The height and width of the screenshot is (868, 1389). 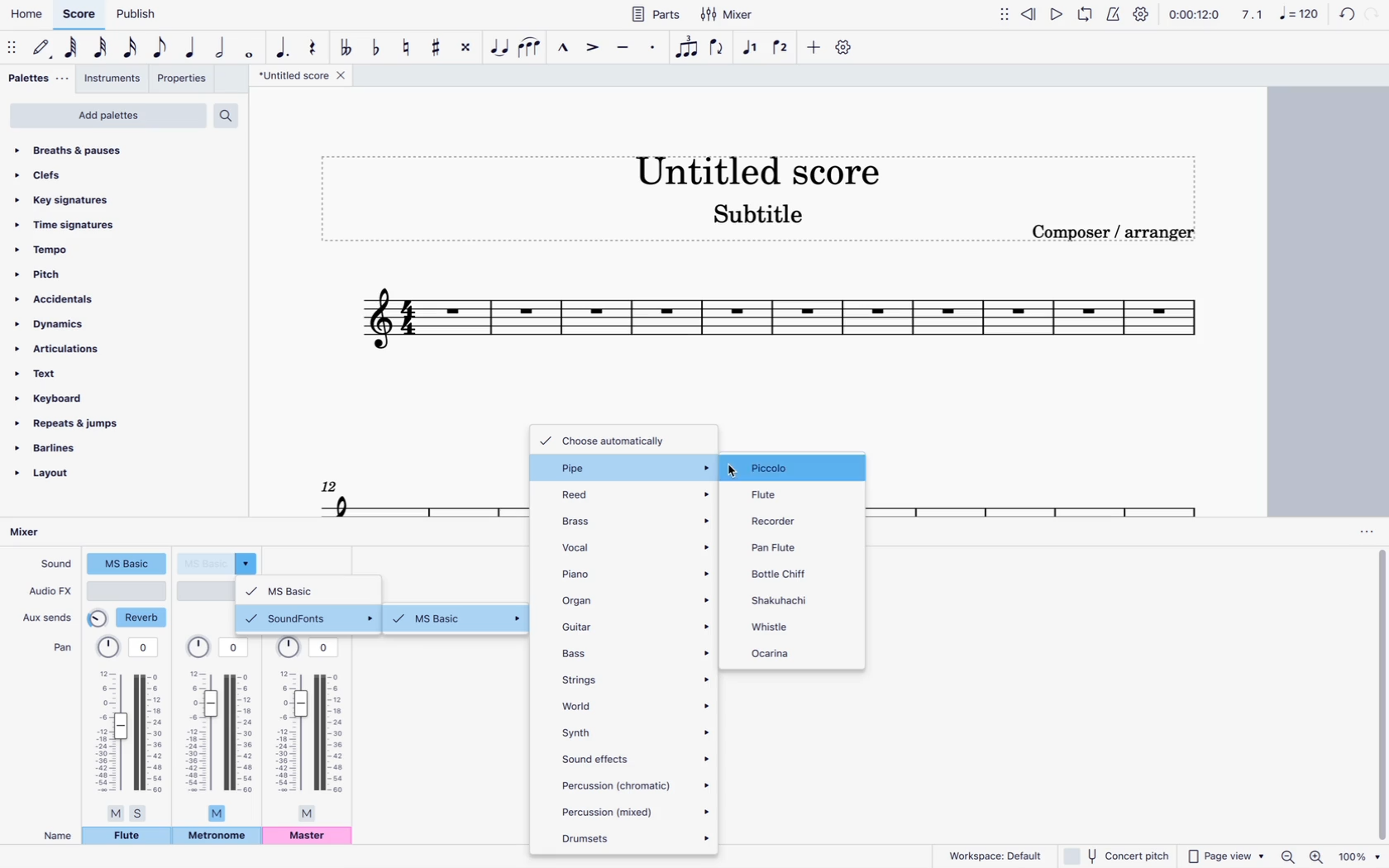 What do you see at coordinates (232, 112) in the screenshot?
I see `search` at bounding box center [232, 112].